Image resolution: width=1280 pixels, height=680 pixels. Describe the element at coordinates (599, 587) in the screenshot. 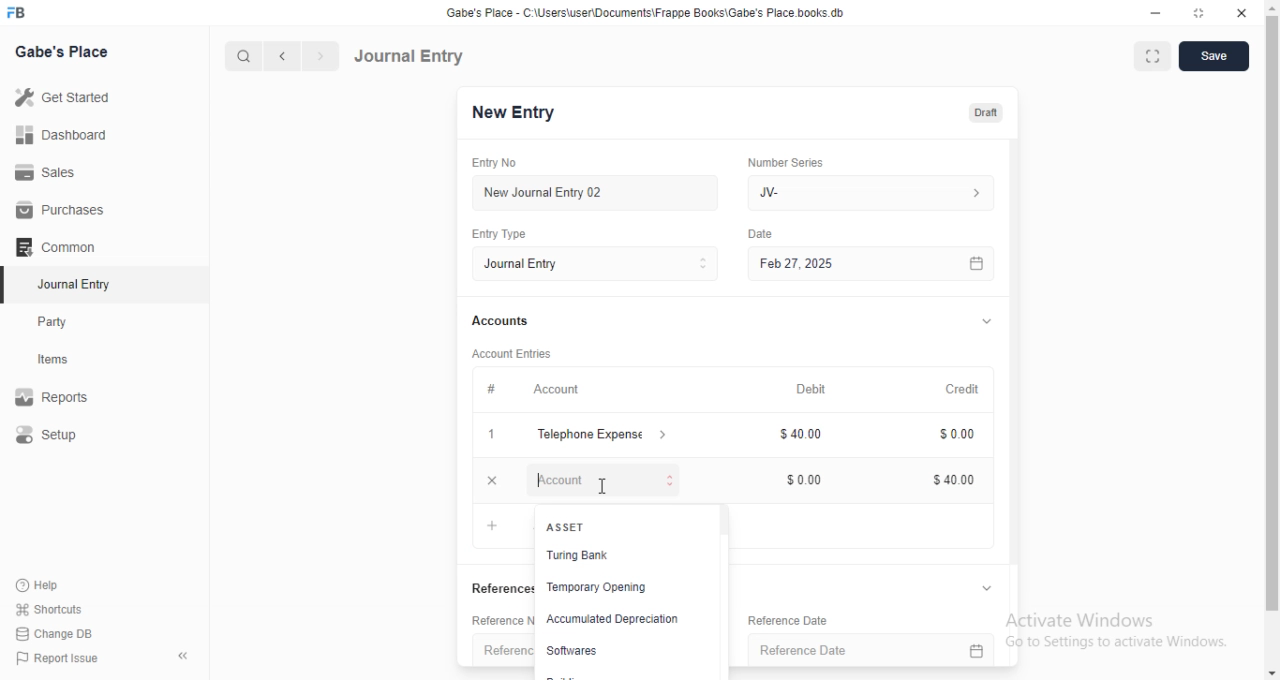

I see `Temporary Opening` at that location.